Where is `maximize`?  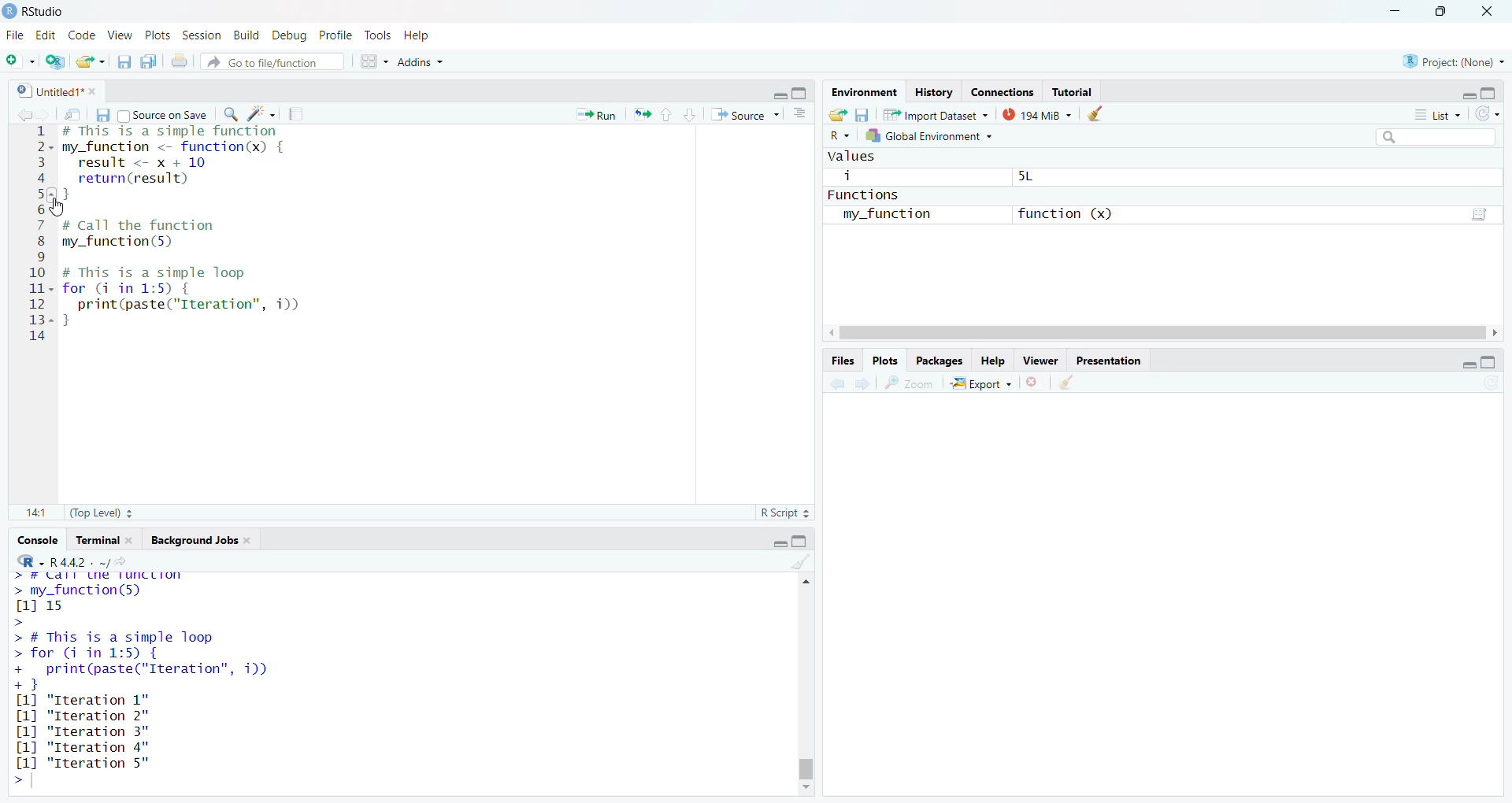 maximize is located at coordinates (1496, 90).